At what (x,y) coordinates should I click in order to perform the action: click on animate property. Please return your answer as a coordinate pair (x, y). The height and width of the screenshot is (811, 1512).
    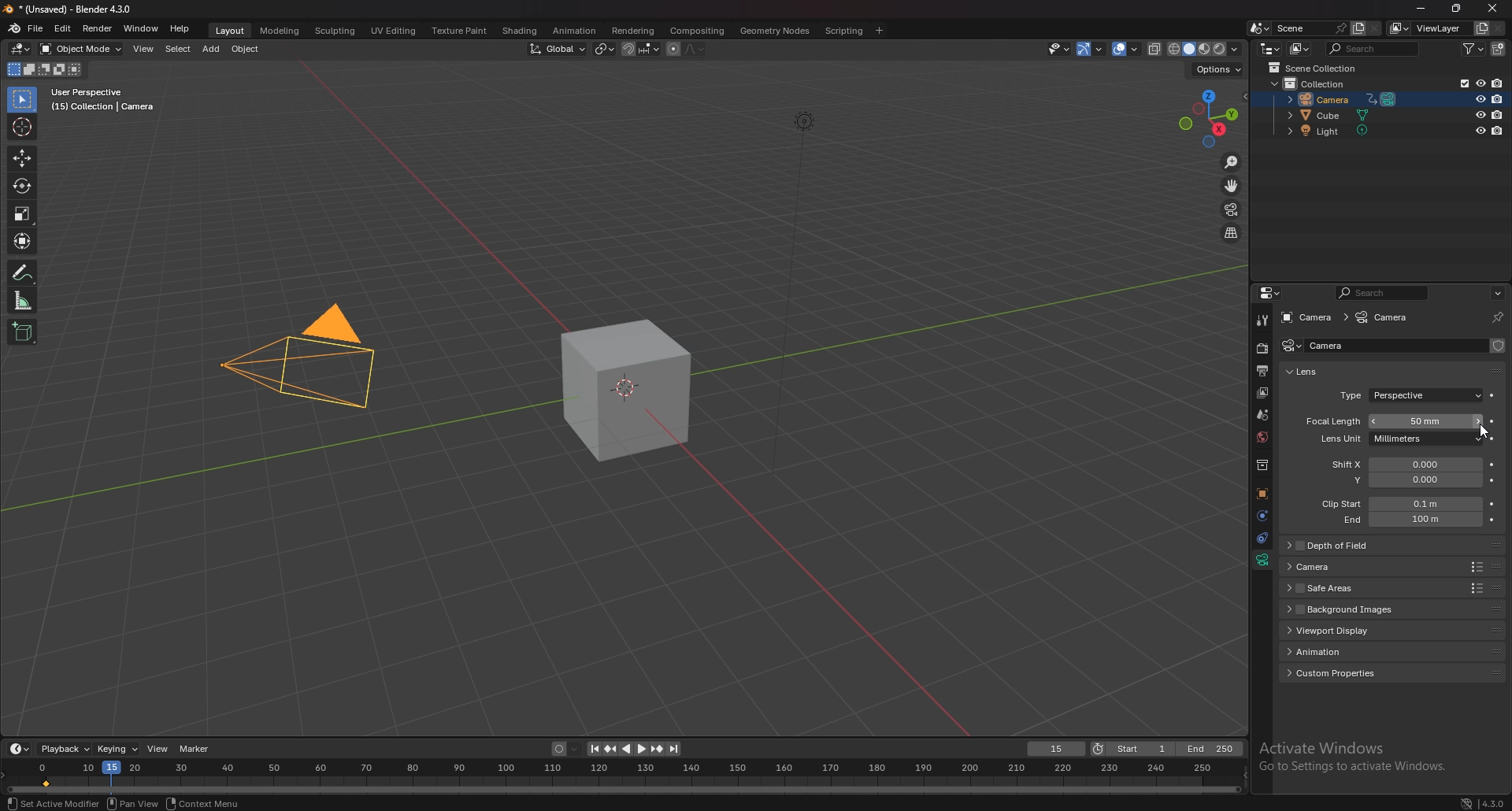
    Looking at the image, I should click on (1494, 480).